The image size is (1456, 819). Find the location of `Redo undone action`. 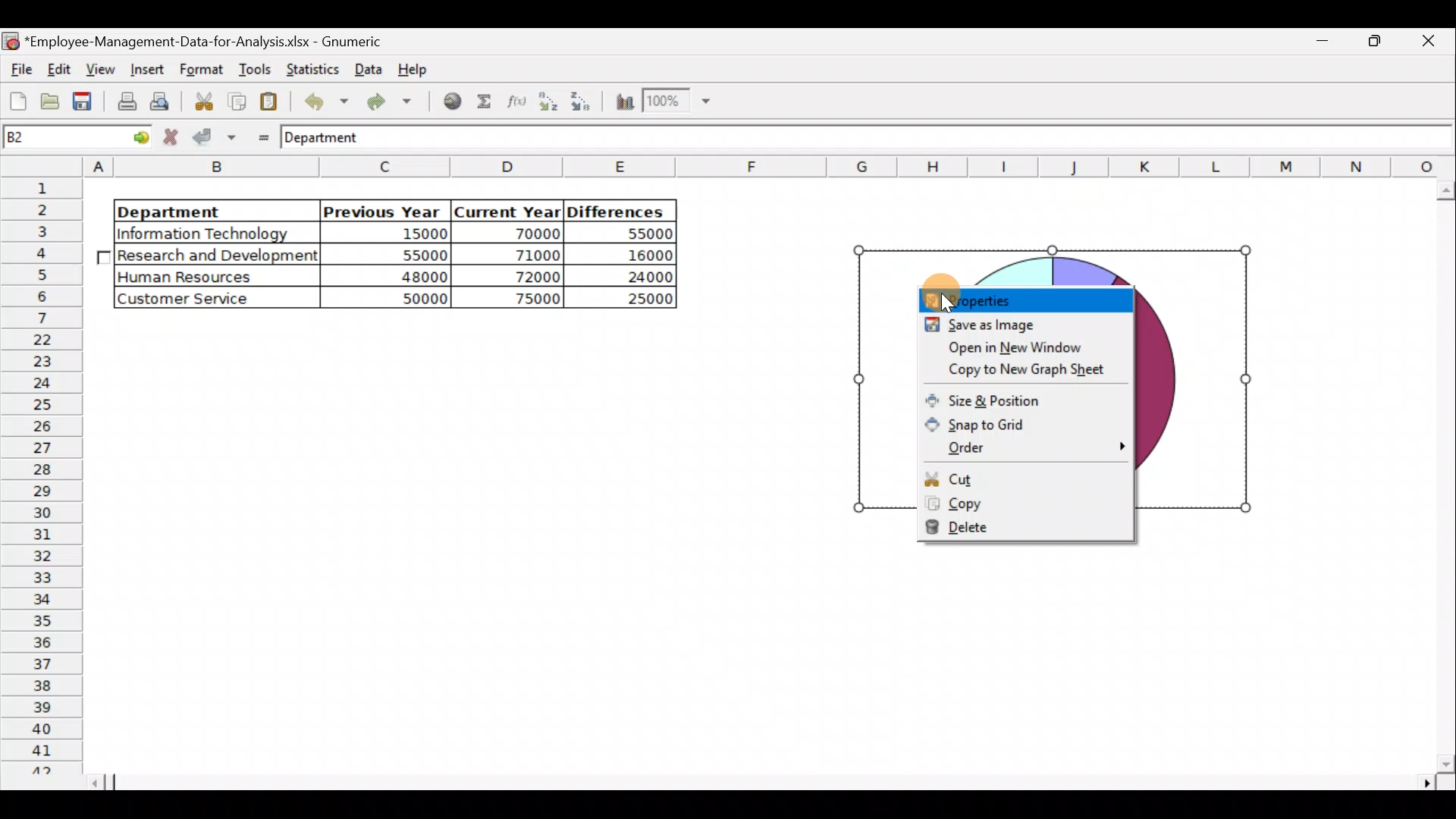

Redo undone action is located at coordinates (394, 102).